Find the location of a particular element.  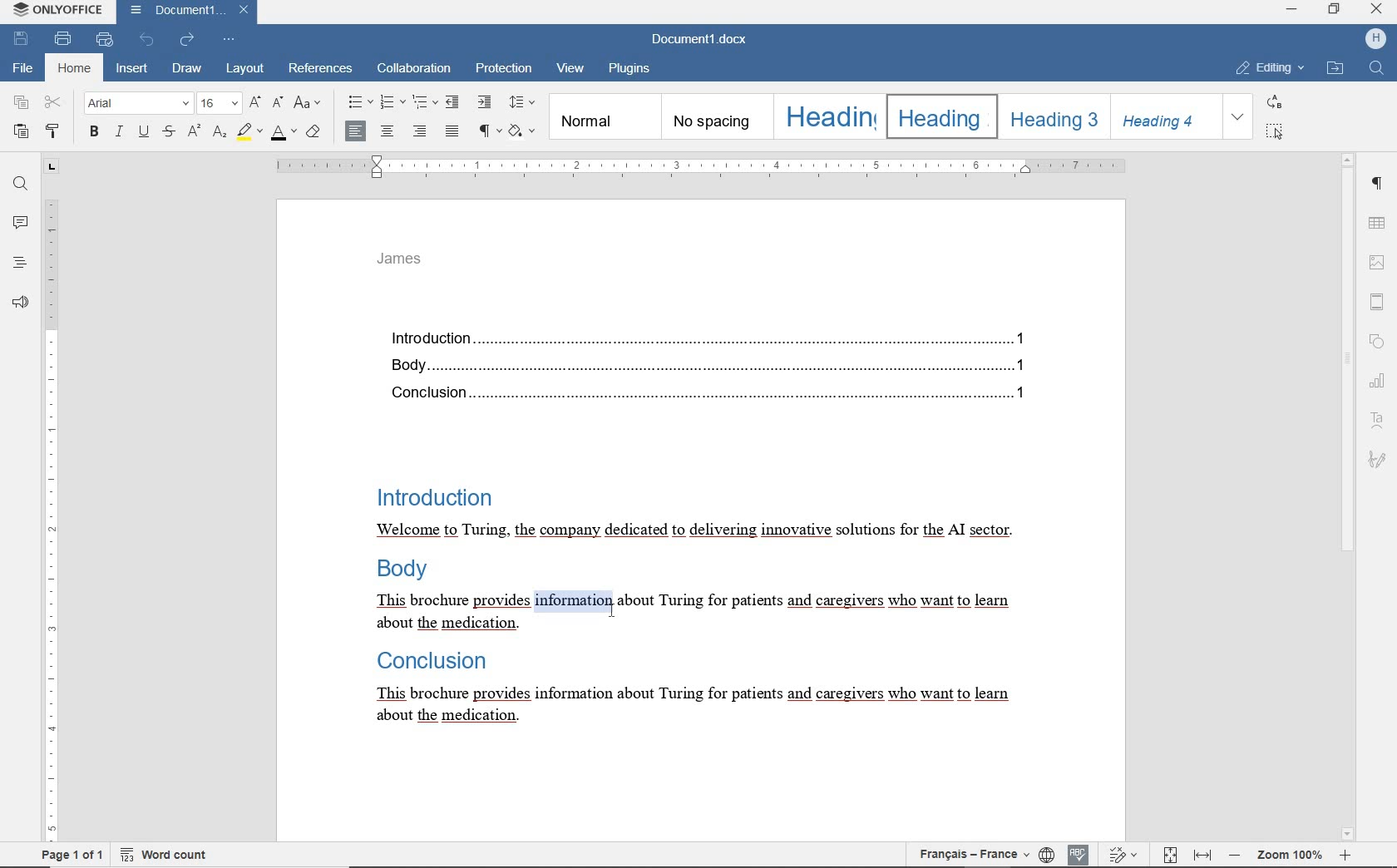

Welcome to Turing, the company dedicated to delivering innovative solutions for the Al sector. is located at coordinates (694, 531).